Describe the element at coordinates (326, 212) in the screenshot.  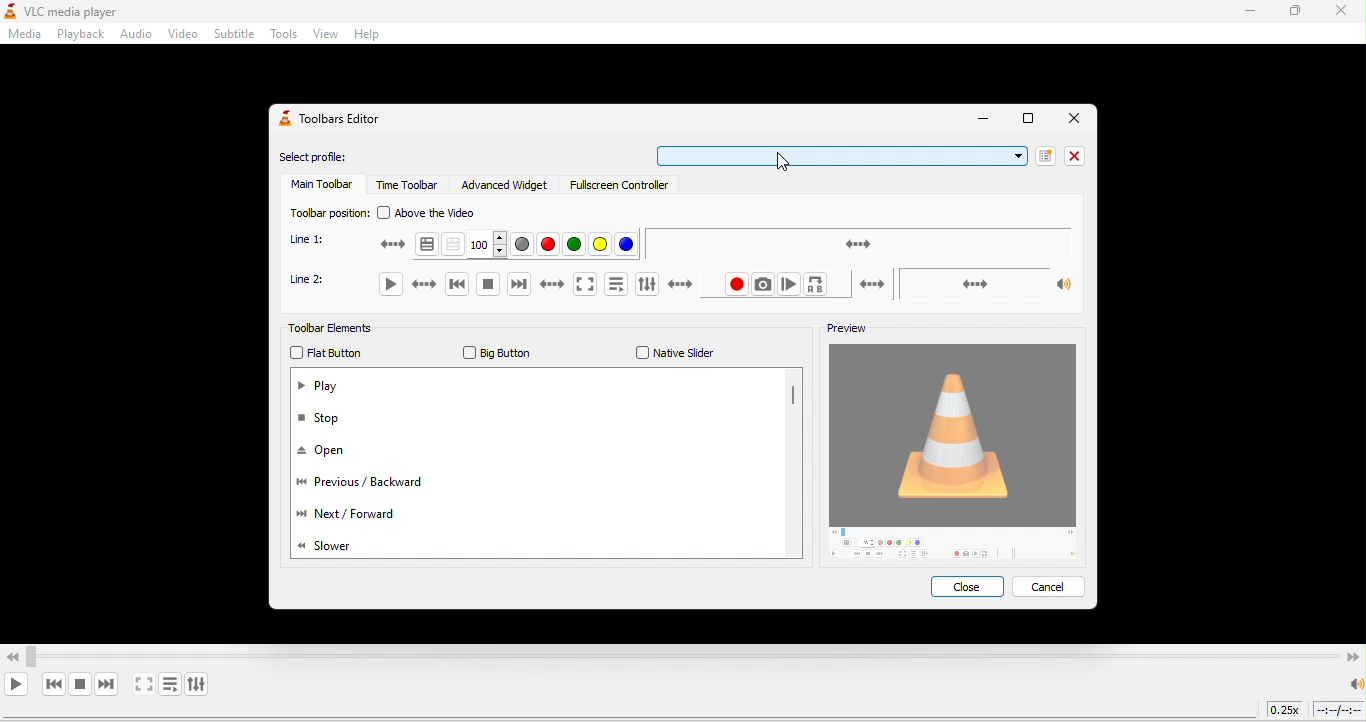
I see `toolbar position` at that location.